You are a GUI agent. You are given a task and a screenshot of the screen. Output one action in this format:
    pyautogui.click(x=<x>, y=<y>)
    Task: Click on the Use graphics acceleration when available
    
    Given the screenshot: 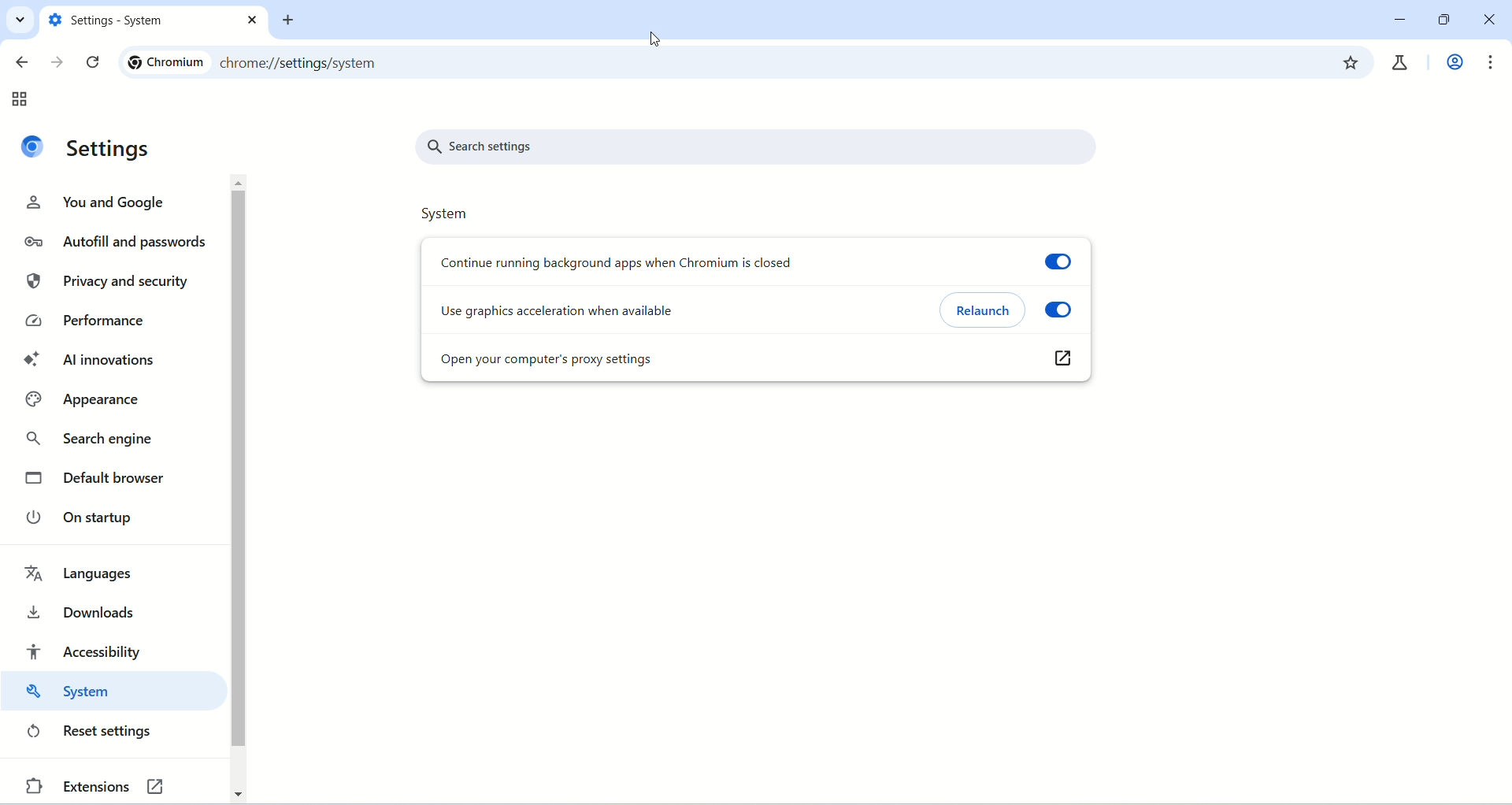 What is the action you would take?
    pyautogui.click(x=598, y=313)
    